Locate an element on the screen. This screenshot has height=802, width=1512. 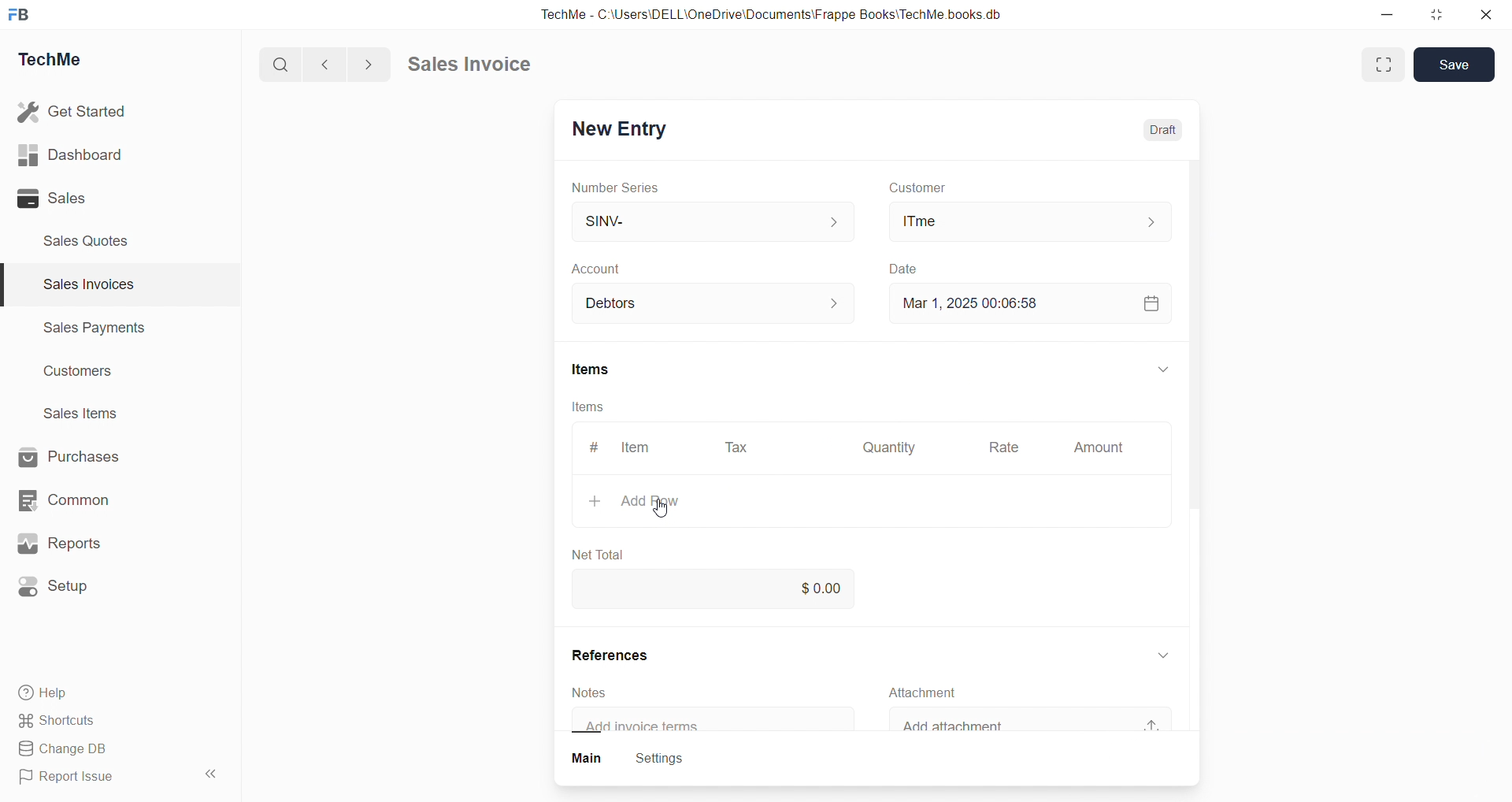
Sales Payments is located at coordinates (87, 330).